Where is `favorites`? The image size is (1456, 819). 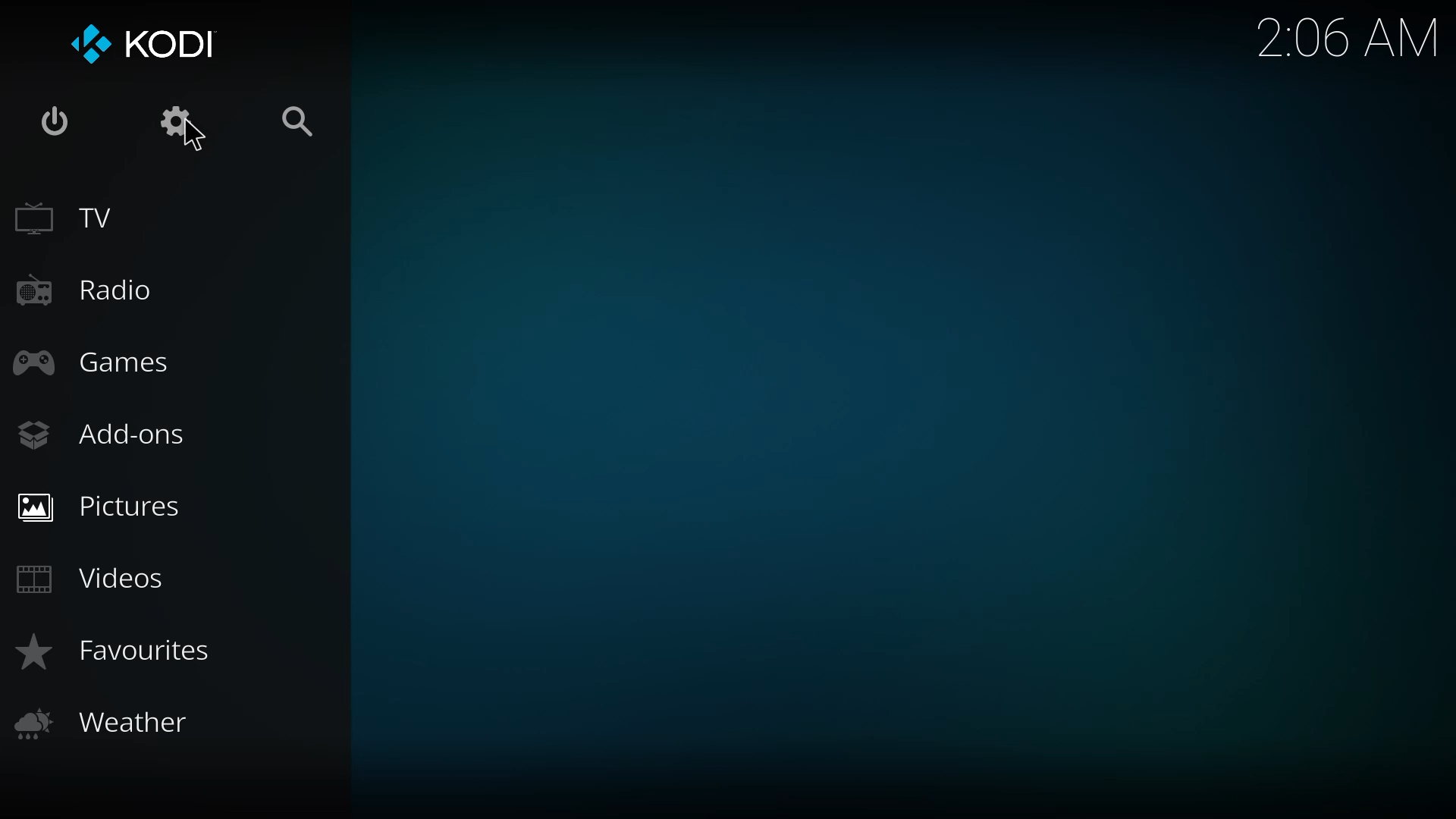 favorites is located at coordinates (124, 651).